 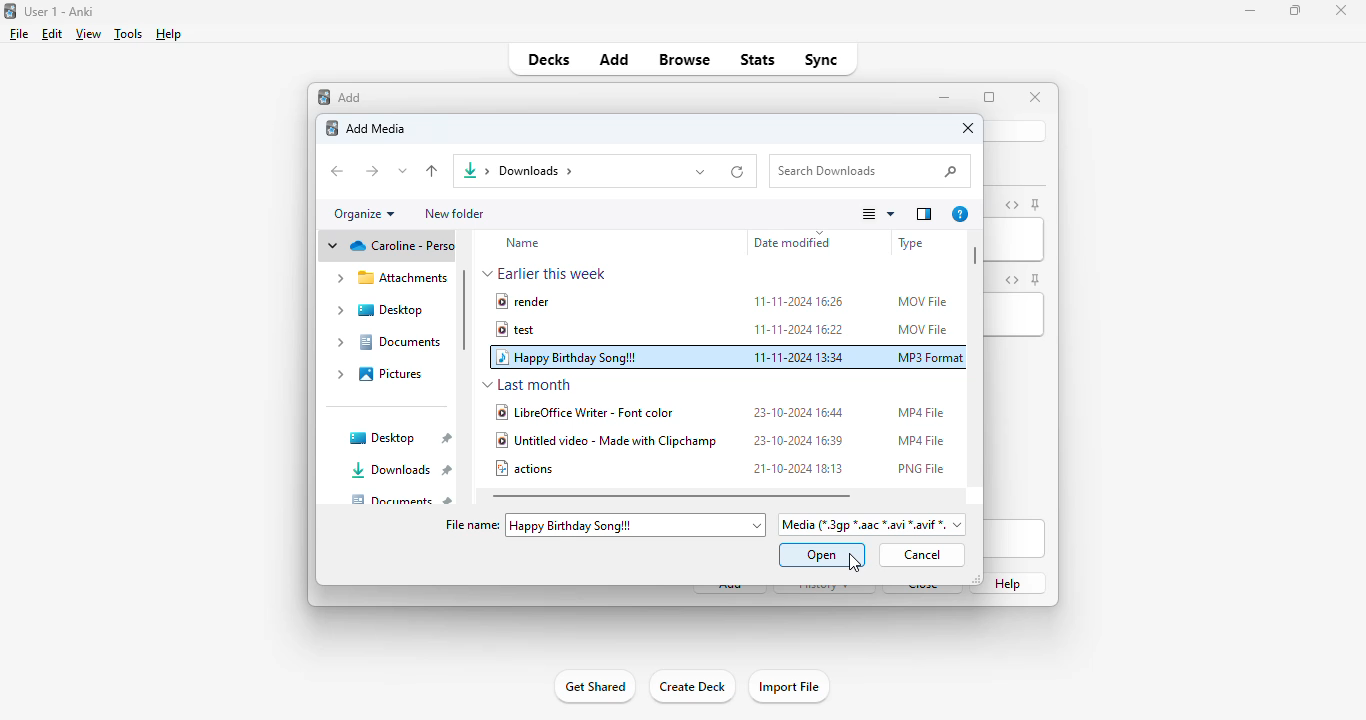 What do you see at coordinates (523, 243) in the screenshot?
I see `name` at bounding box center [523, 243].